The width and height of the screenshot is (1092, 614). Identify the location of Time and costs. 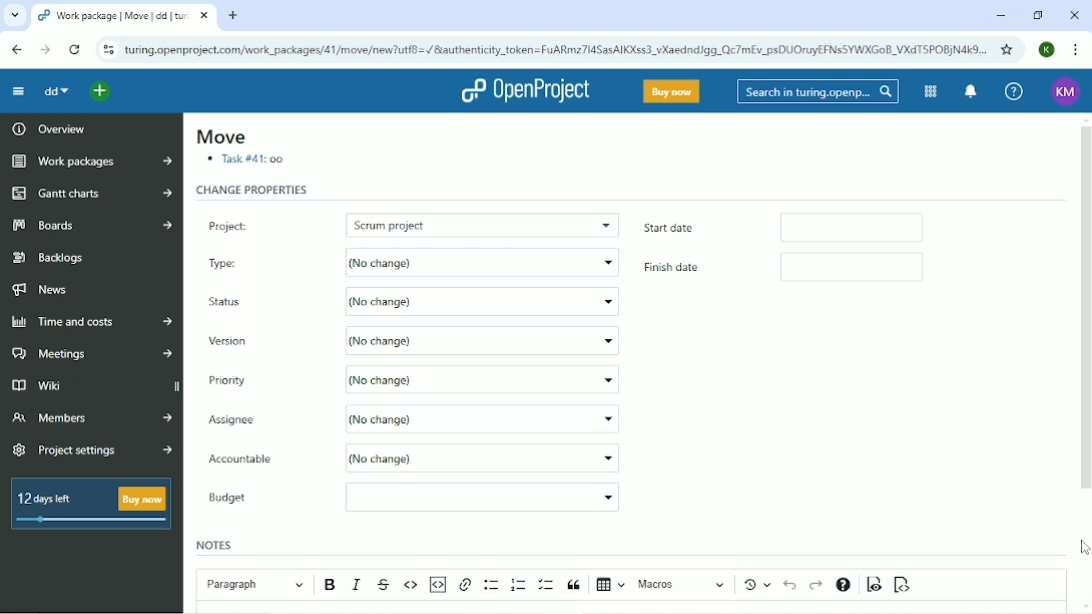
(92, 322).